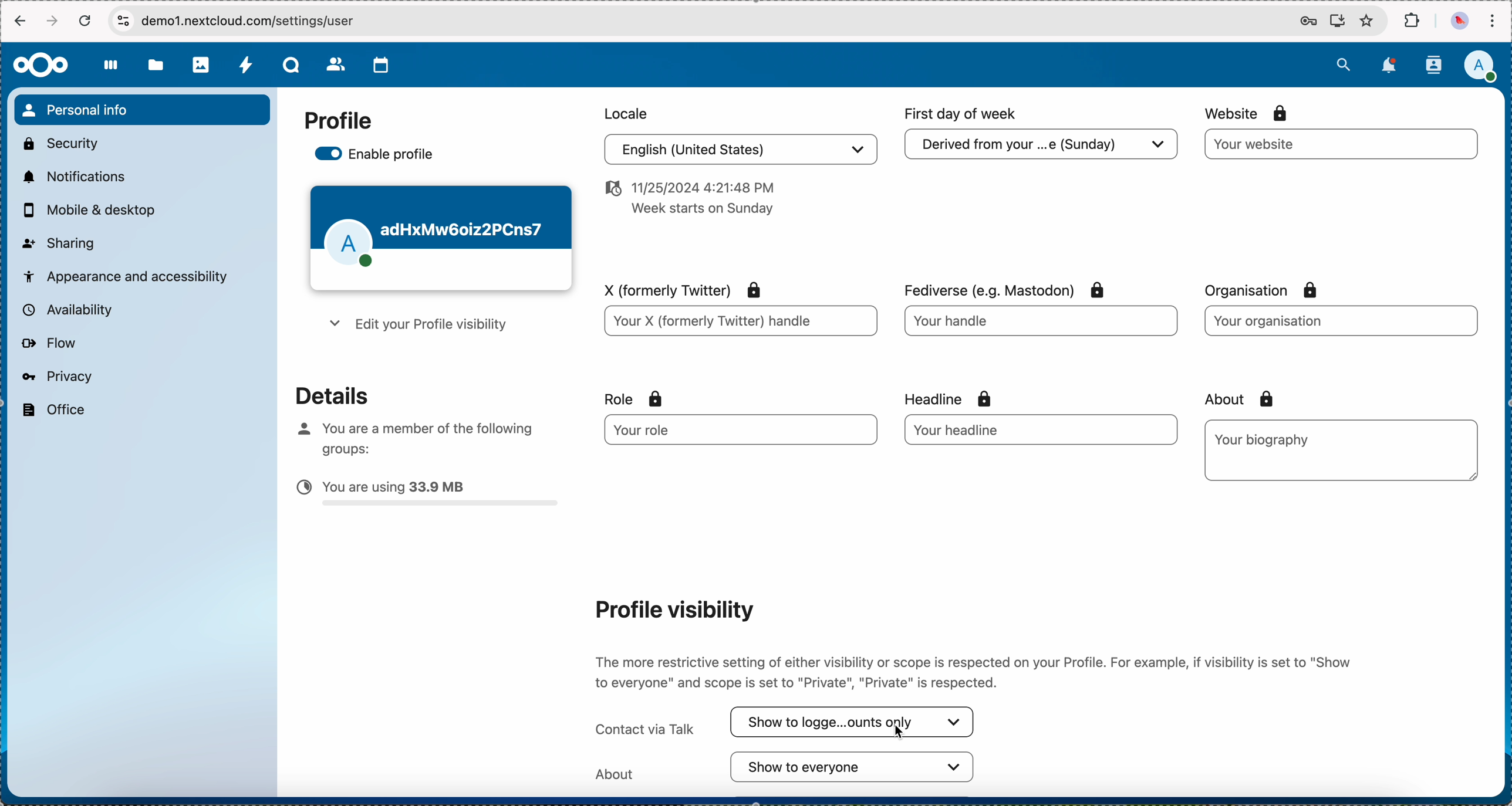  What do you see at coordinates (1265, 439) in the screenshot?
I see `biography` at bounding box center [1265, 439].